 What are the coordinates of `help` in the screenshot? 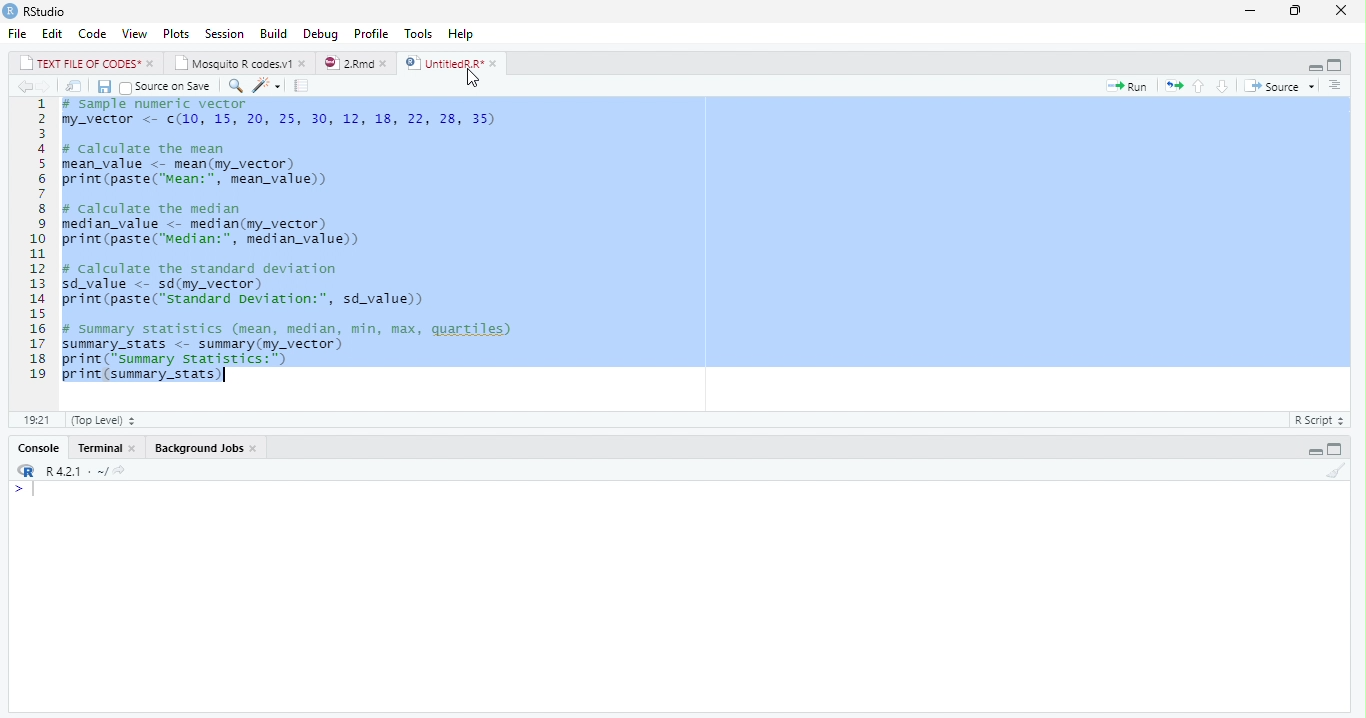 It's located at (461, 34).